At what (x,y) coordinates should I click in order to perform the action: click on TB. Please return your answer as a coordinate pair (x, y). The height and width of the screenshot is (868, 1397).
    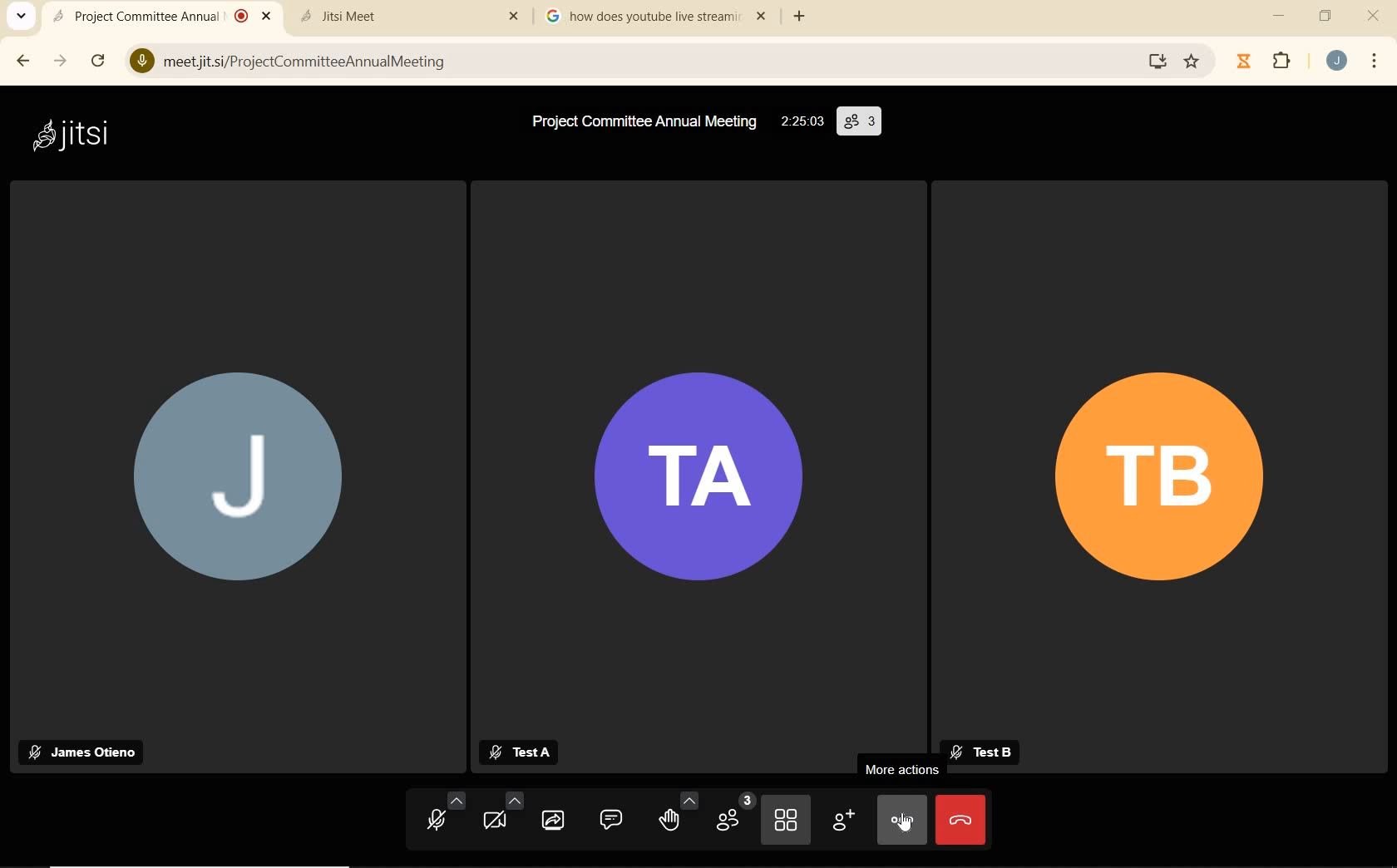
    Looking at the image, I should click on (1166, 485).